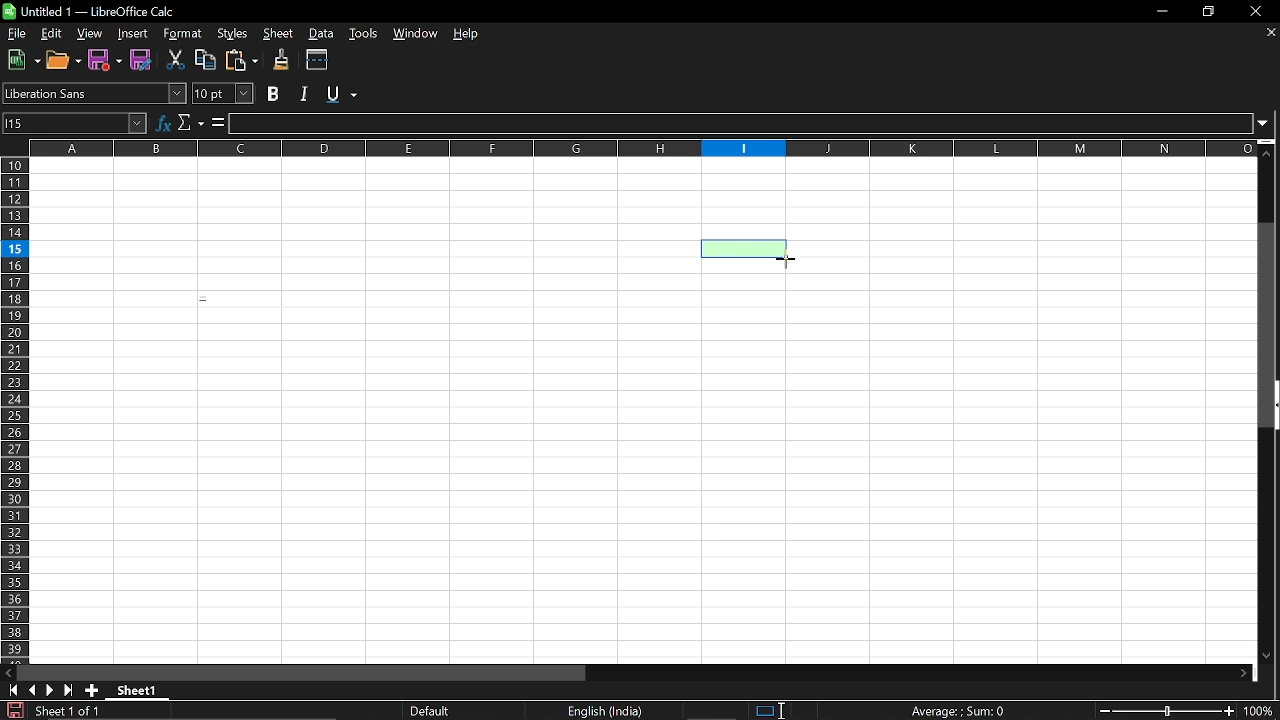  What do you see at coordinates (1269, 152) in the screenshot?
I see `Move up` at bounding box center [1269, 152].